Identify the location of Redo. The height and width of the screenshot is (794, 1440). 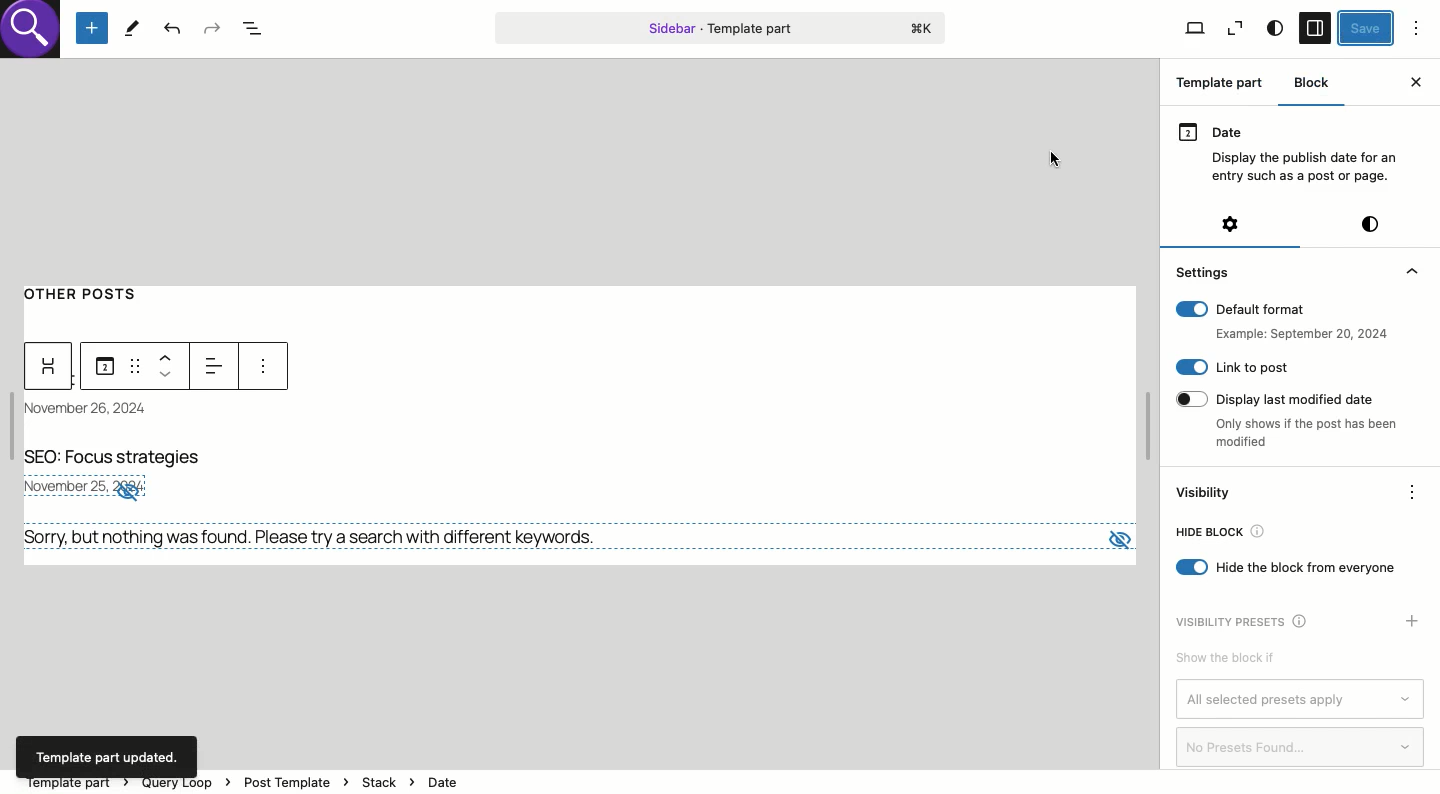
(211, 27).